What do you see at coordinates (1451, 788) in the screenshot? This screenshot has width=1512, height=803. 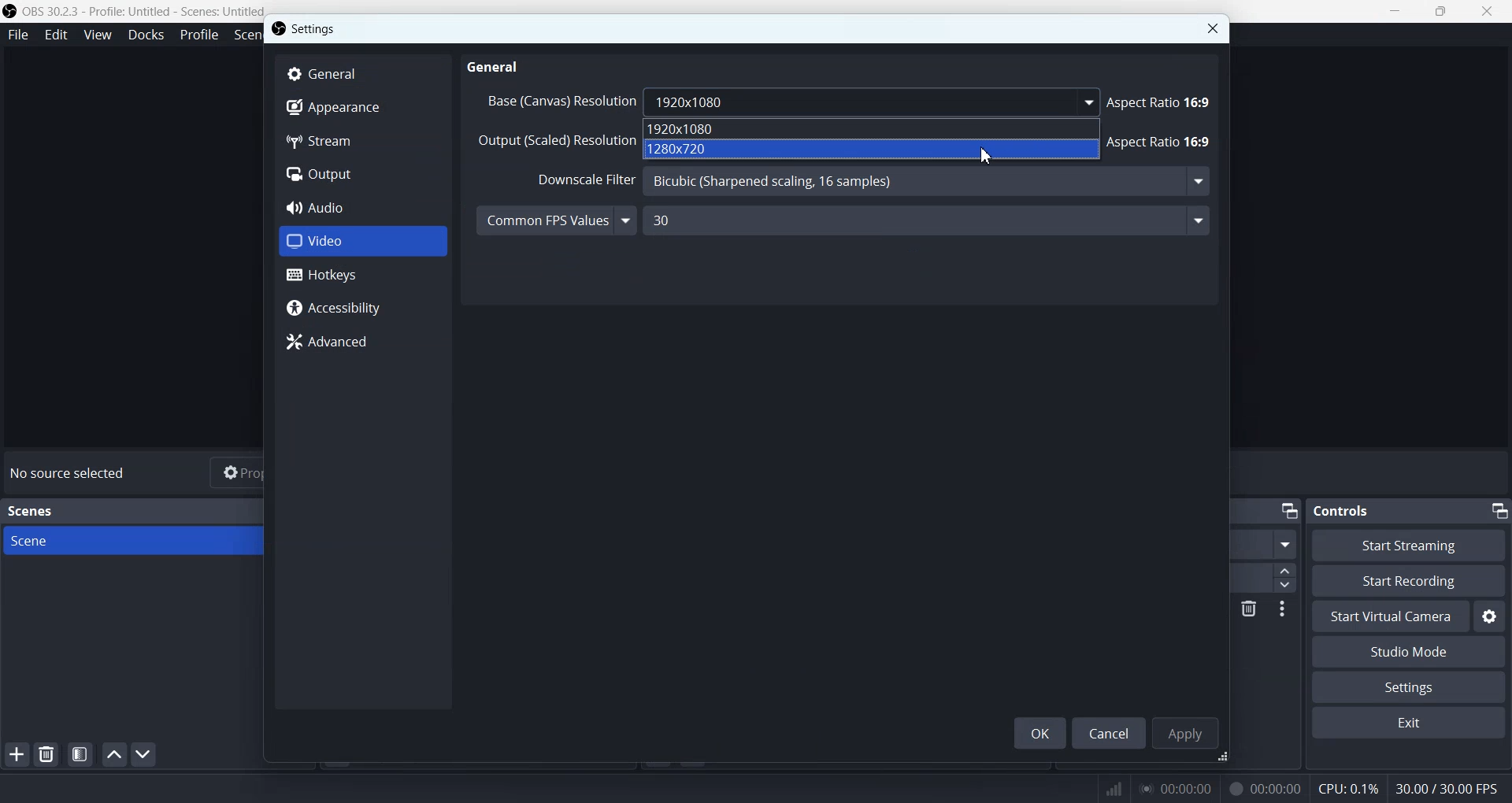 I see `30.00 / 30.00 FPS` at bounding box center [1451, 788].